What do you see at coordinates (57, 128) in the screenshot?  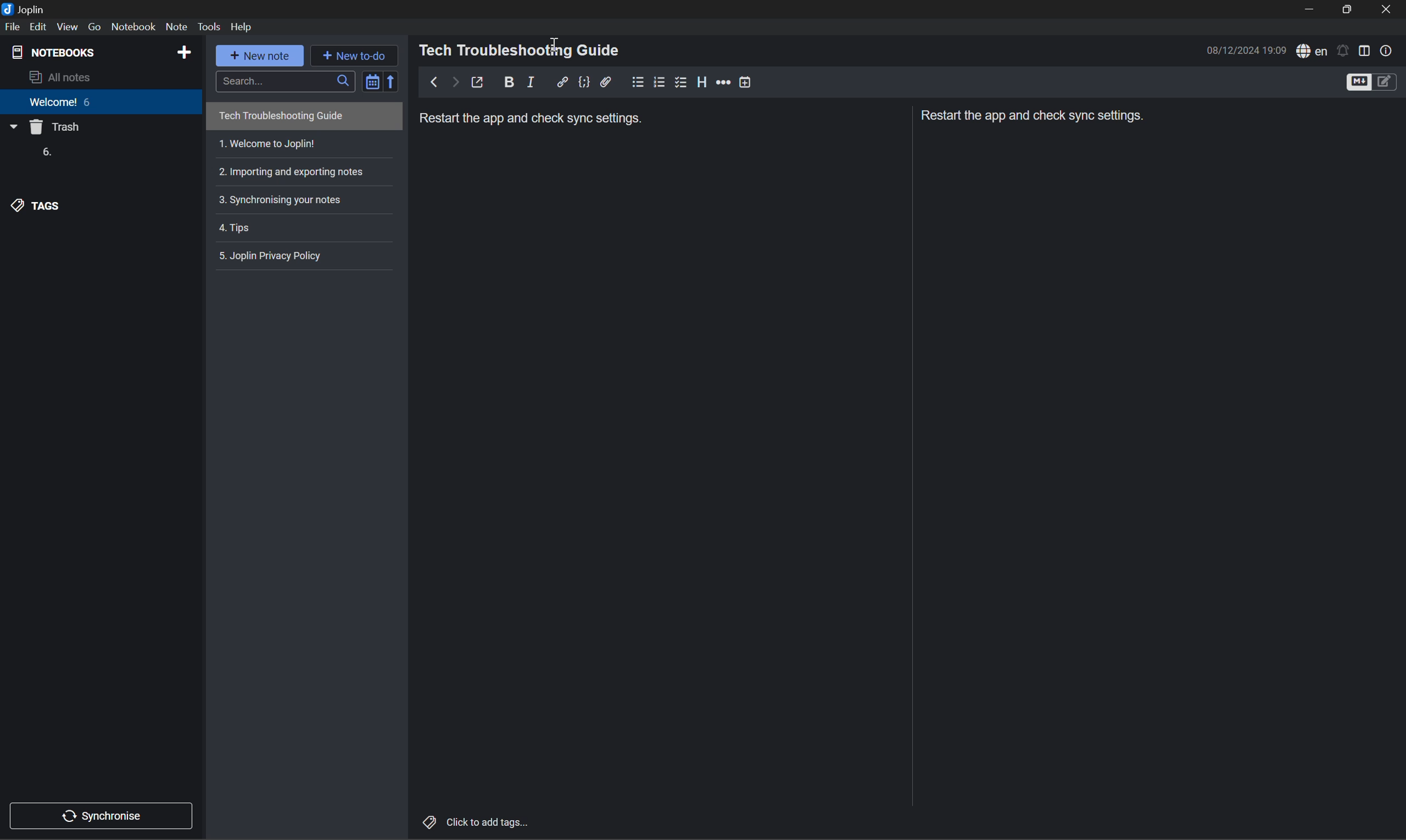 I see `Trash` at bounding box center [57, 128].